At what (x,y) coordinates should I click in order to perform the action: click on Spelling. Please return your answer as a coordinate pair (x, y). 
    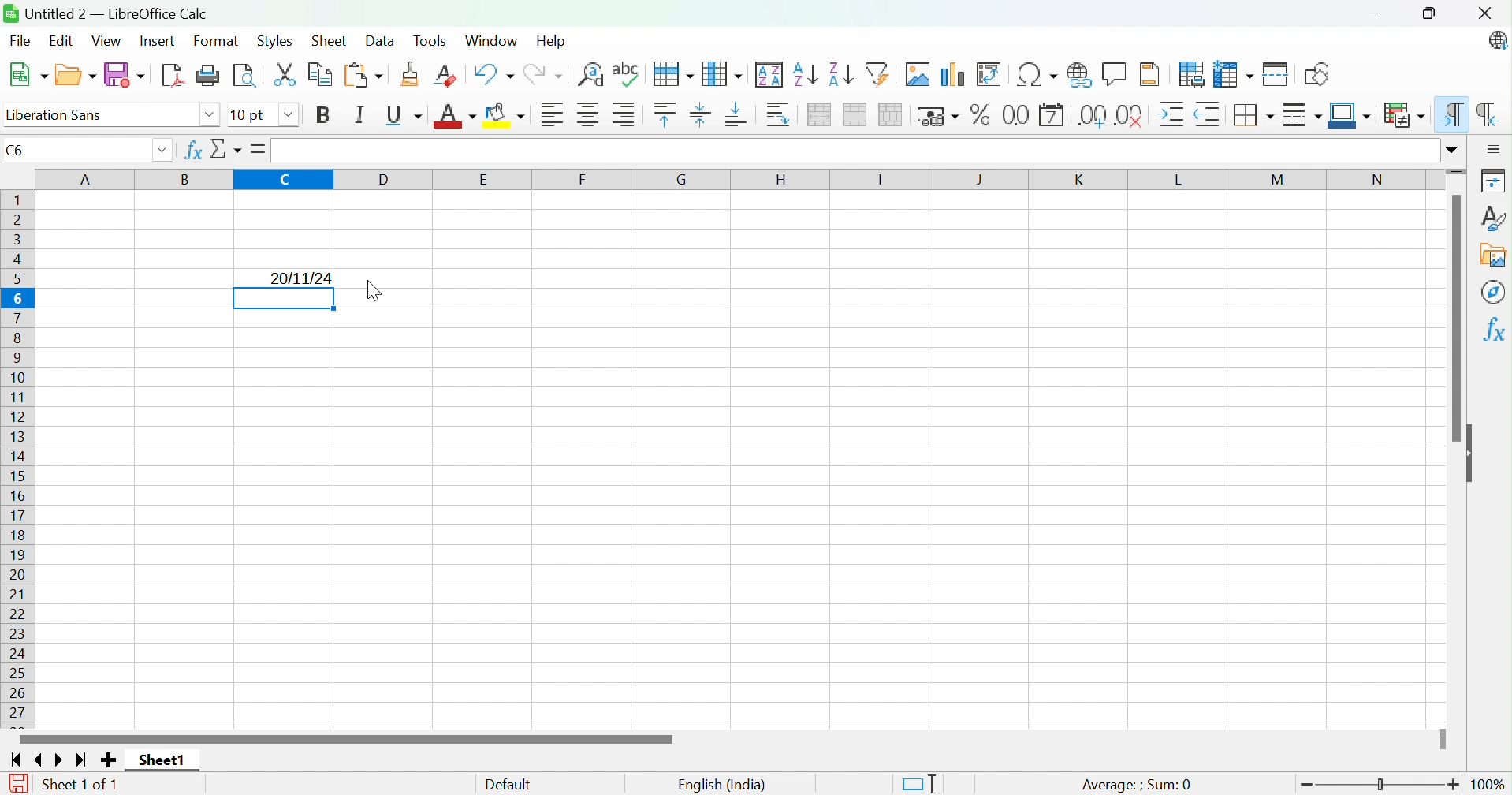
    Looking at the image, I should click on (675, 75).